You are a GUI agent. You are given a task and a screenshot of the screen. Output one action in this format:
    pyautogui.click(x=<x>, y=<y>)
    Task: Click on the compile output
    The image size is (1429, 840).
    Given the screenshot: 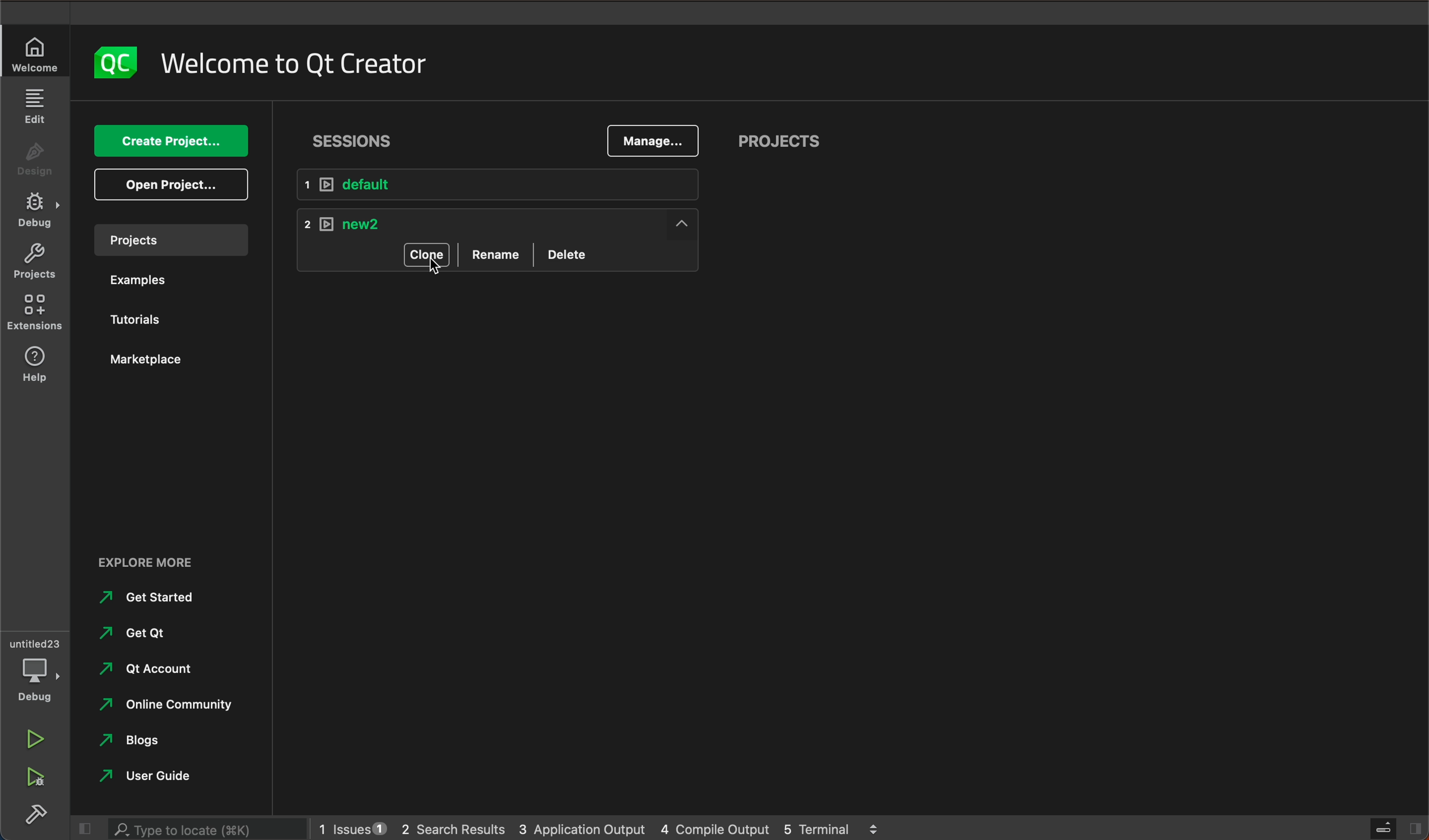 What is the action you would take?
    pyautogui.click(x=712, y=828)
    